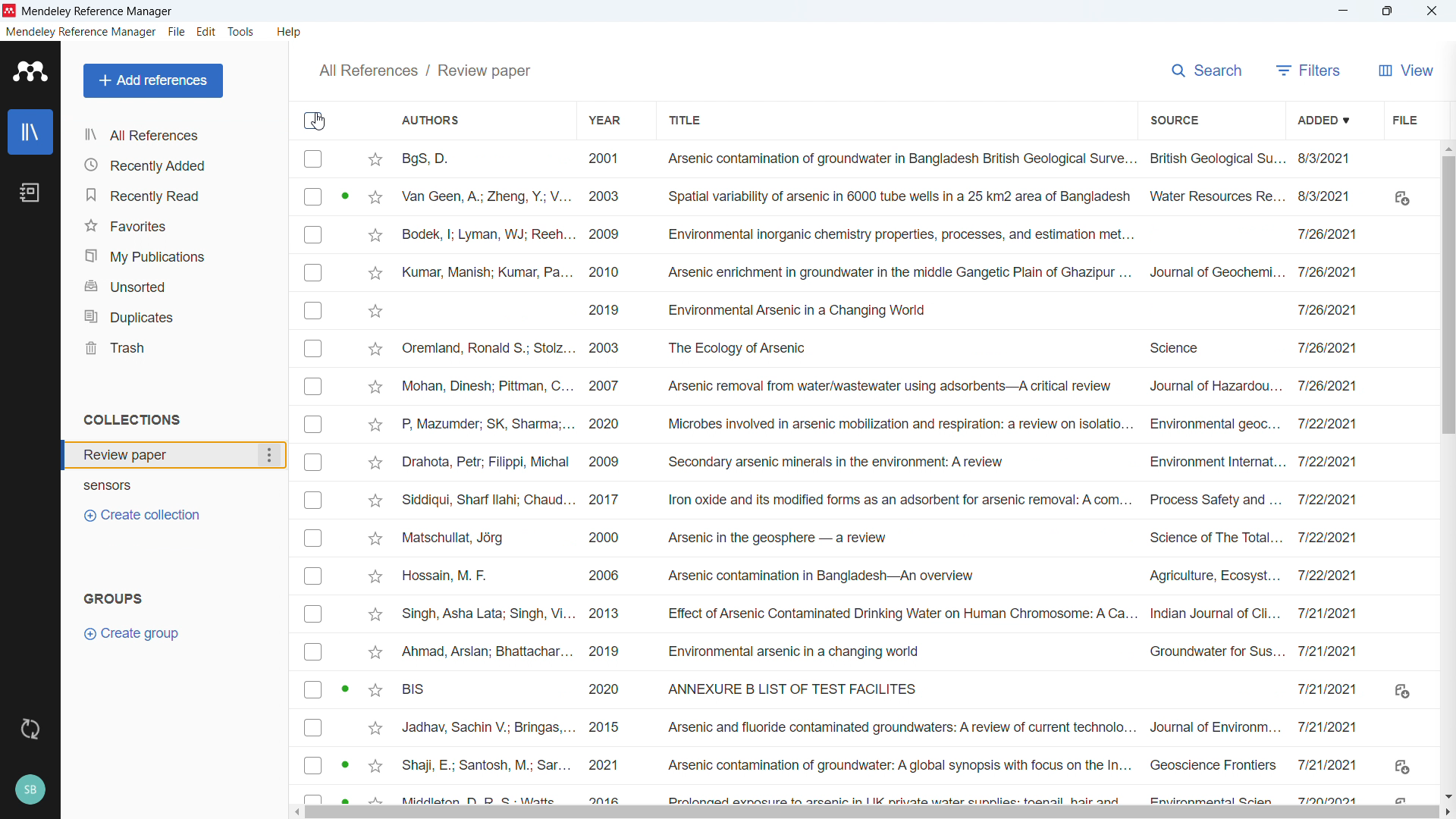 The width and height of the screenshot is (1456, 819). I want to click on Authors, so click(431, 121).